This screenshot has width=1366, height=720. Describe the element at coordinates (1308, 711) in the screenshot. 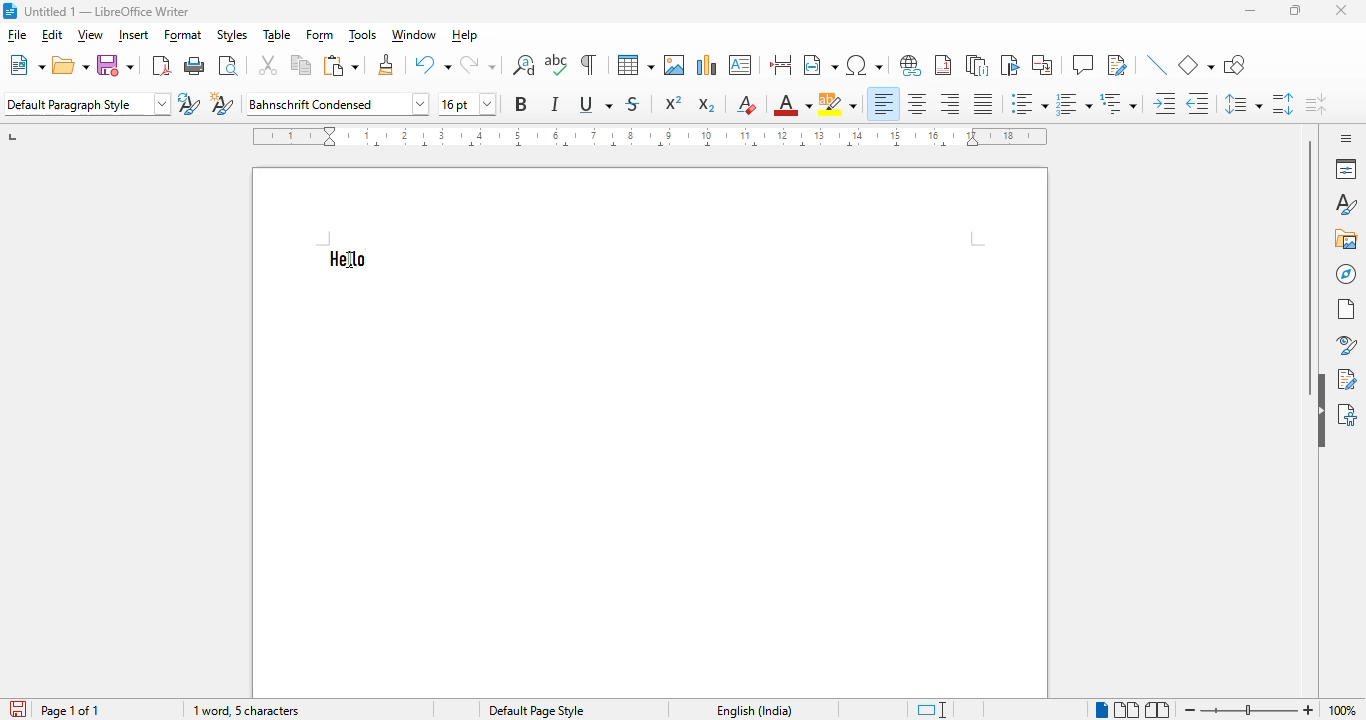

I see `zoom in ` at that location.